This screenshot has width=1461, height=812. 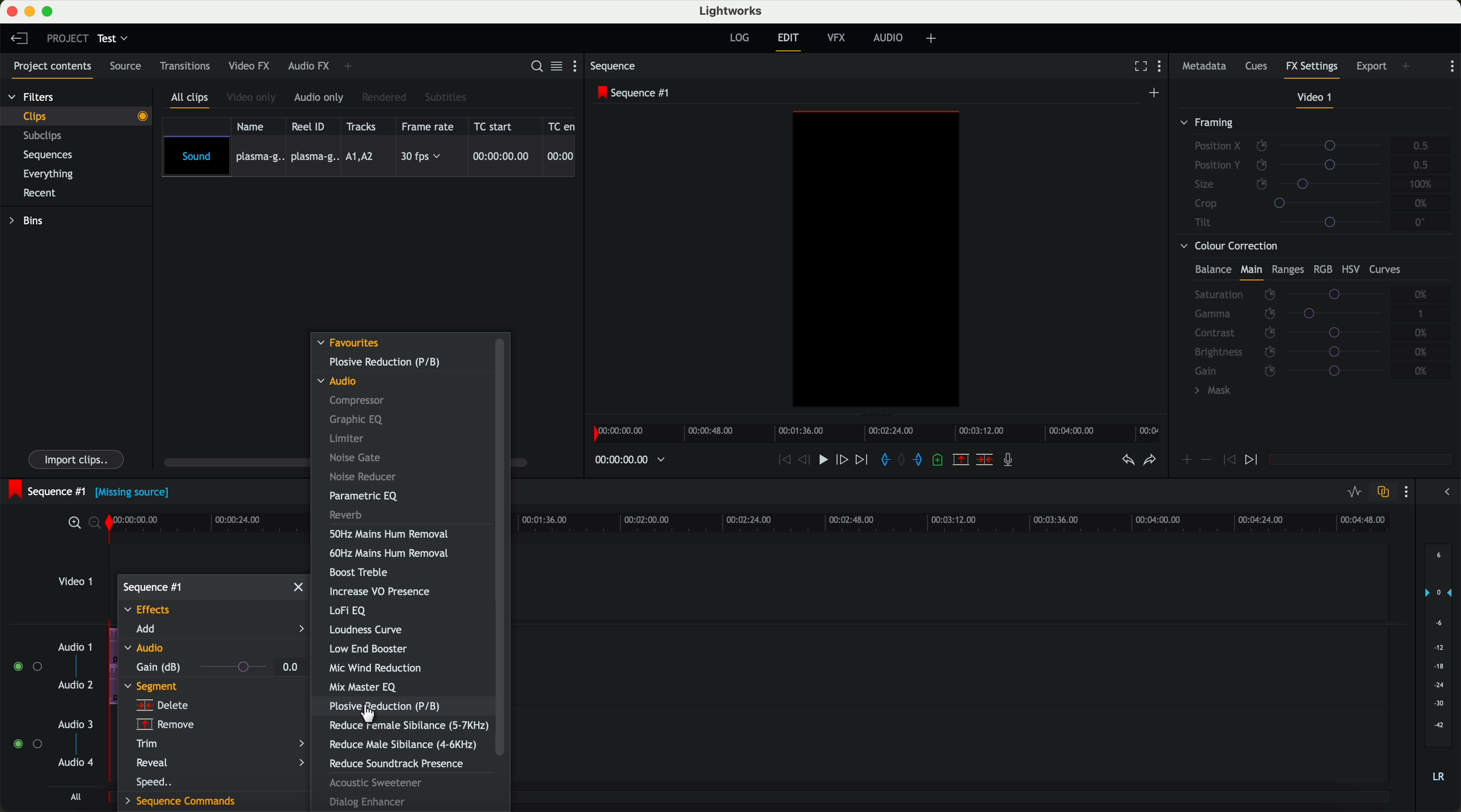 I want to click on nudge one frame foward, so click(x=844, y=459).